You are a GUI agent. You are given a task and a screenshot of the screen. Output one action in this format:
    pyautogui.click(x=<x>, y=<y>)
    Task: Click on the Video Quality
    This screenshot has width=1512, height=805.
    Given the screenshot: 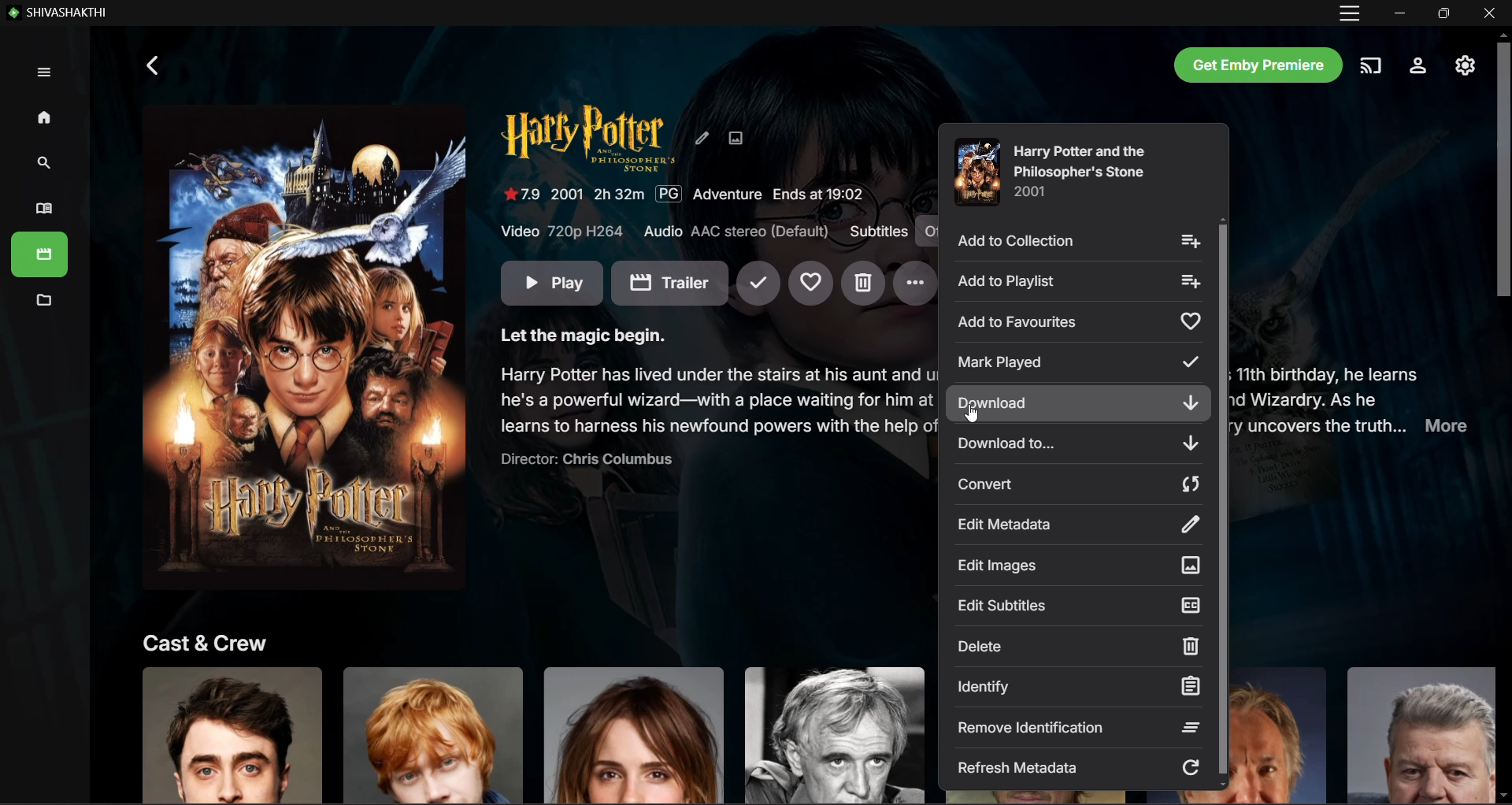 What is the action you would take?
    pyautogui.click(x=564, y=231)
    